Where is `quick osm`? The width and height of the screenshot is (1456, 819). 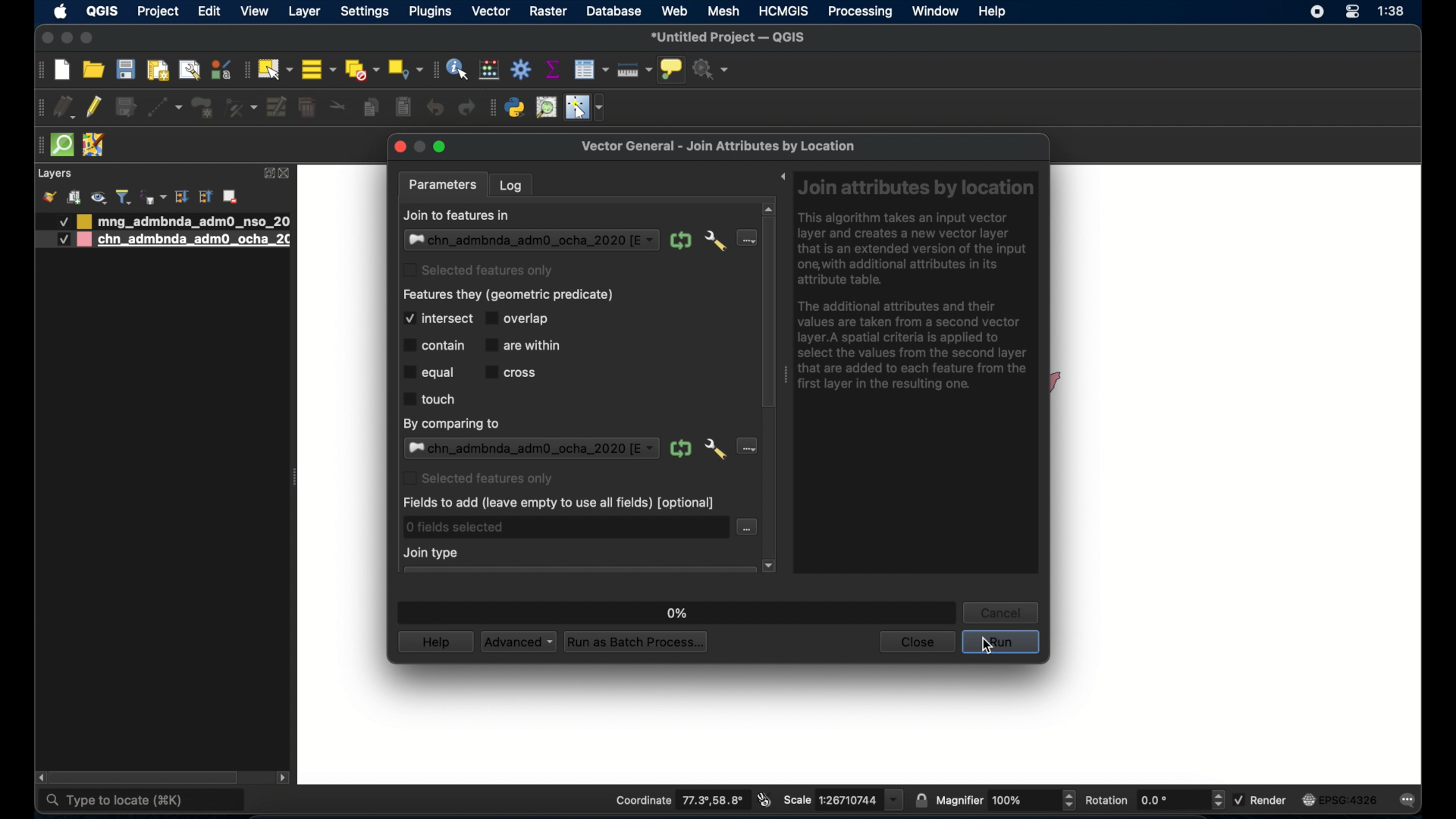 quick osm is located at coordinates (63, 146).